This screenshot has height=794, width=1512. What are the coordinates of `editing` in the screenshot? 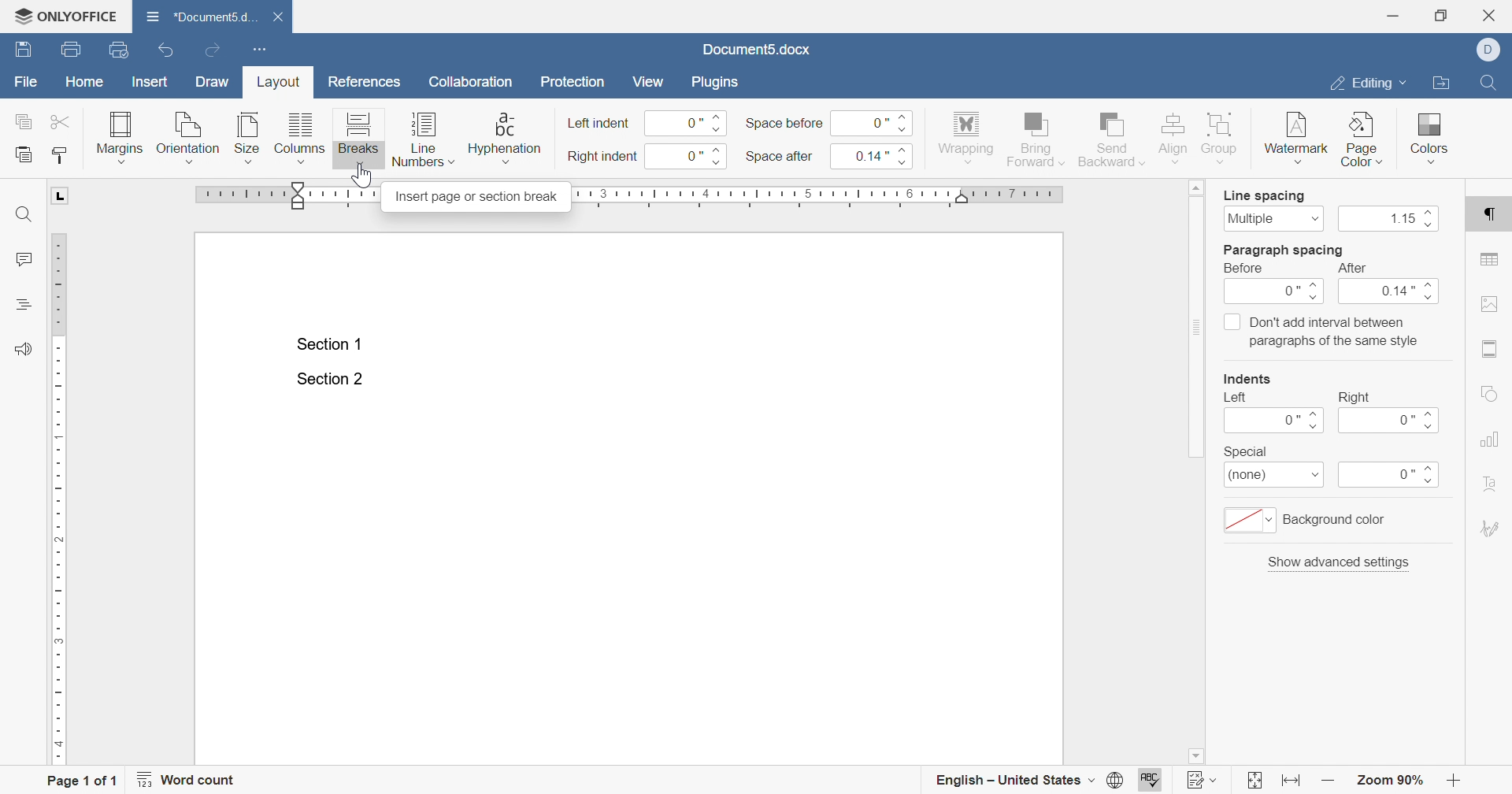 It's located at (1368, 86).